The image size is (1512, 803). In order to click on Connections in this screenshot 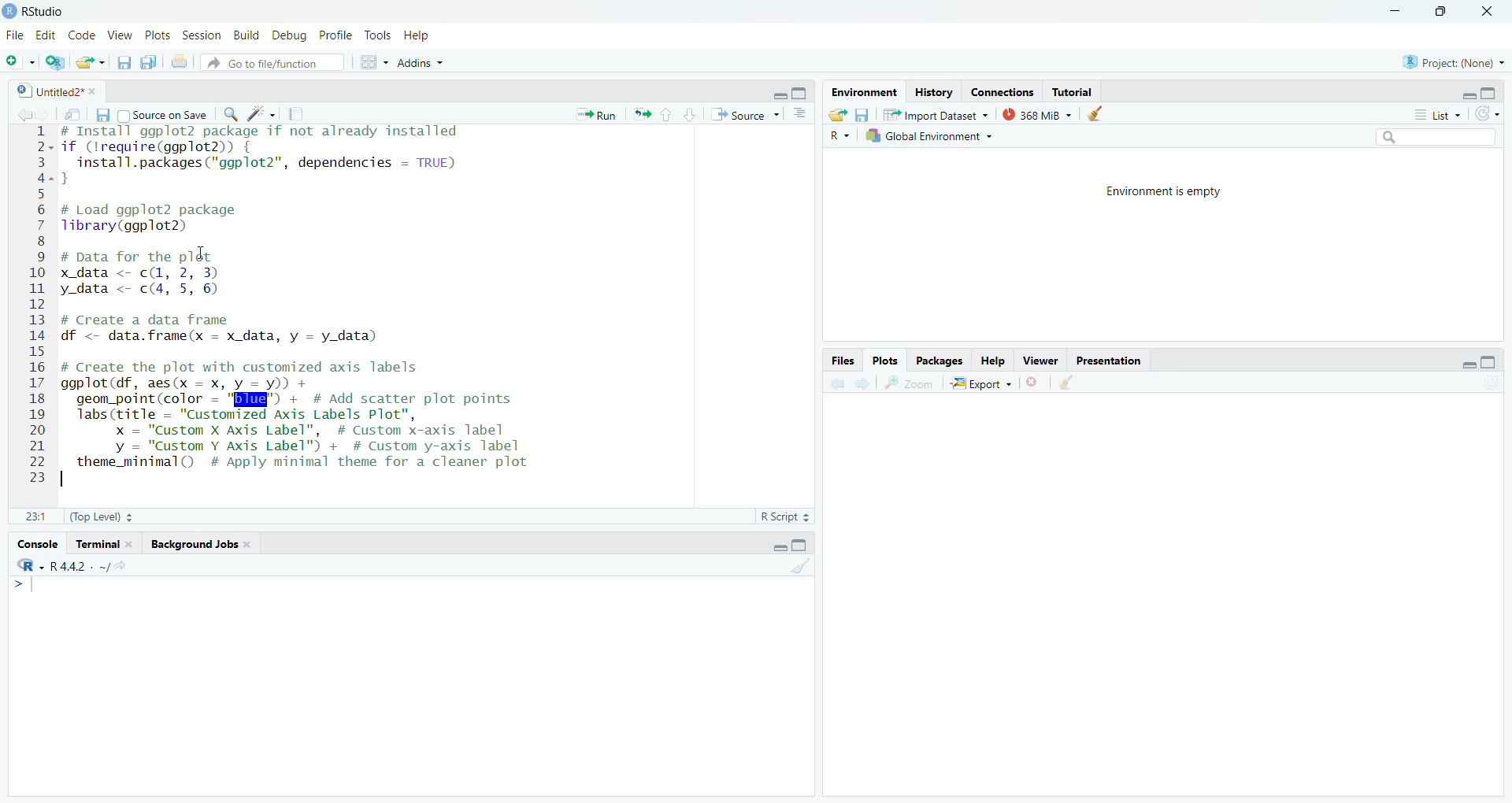, I will do `click(1001, 91)`.